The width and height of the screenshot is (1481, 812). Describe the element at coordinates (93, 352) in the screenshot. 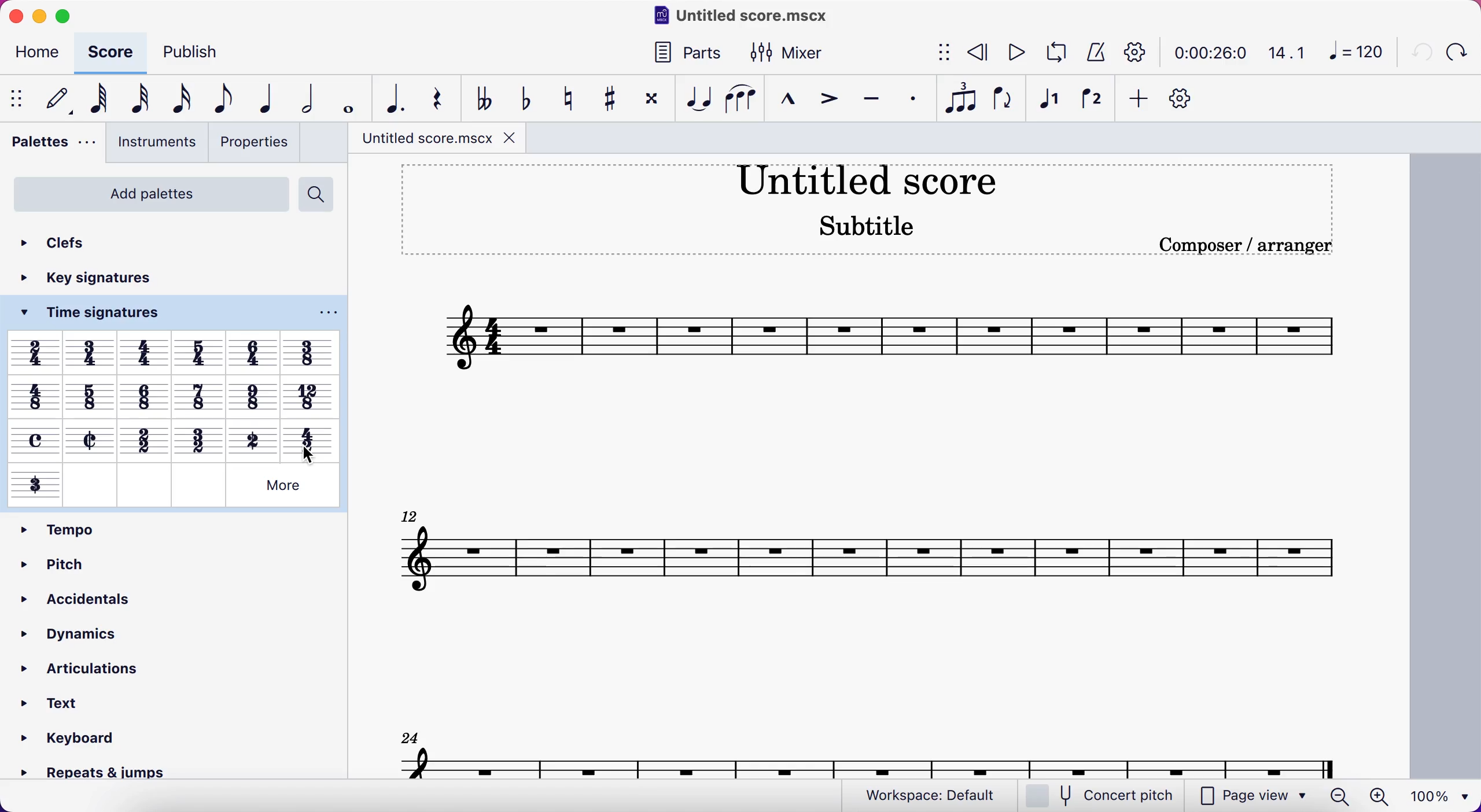

I see `` at that location.